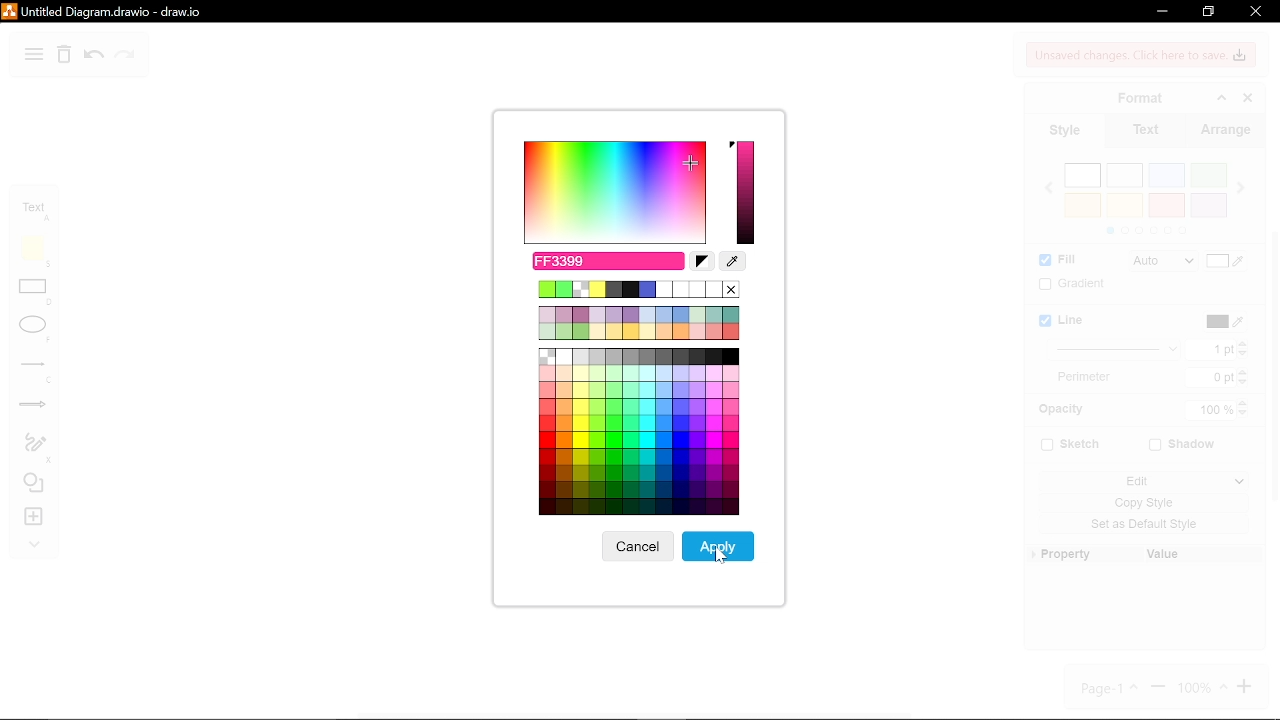  Describe the element at coordinates (1161, 11) in the screenshot. I see `minimize` at that location.